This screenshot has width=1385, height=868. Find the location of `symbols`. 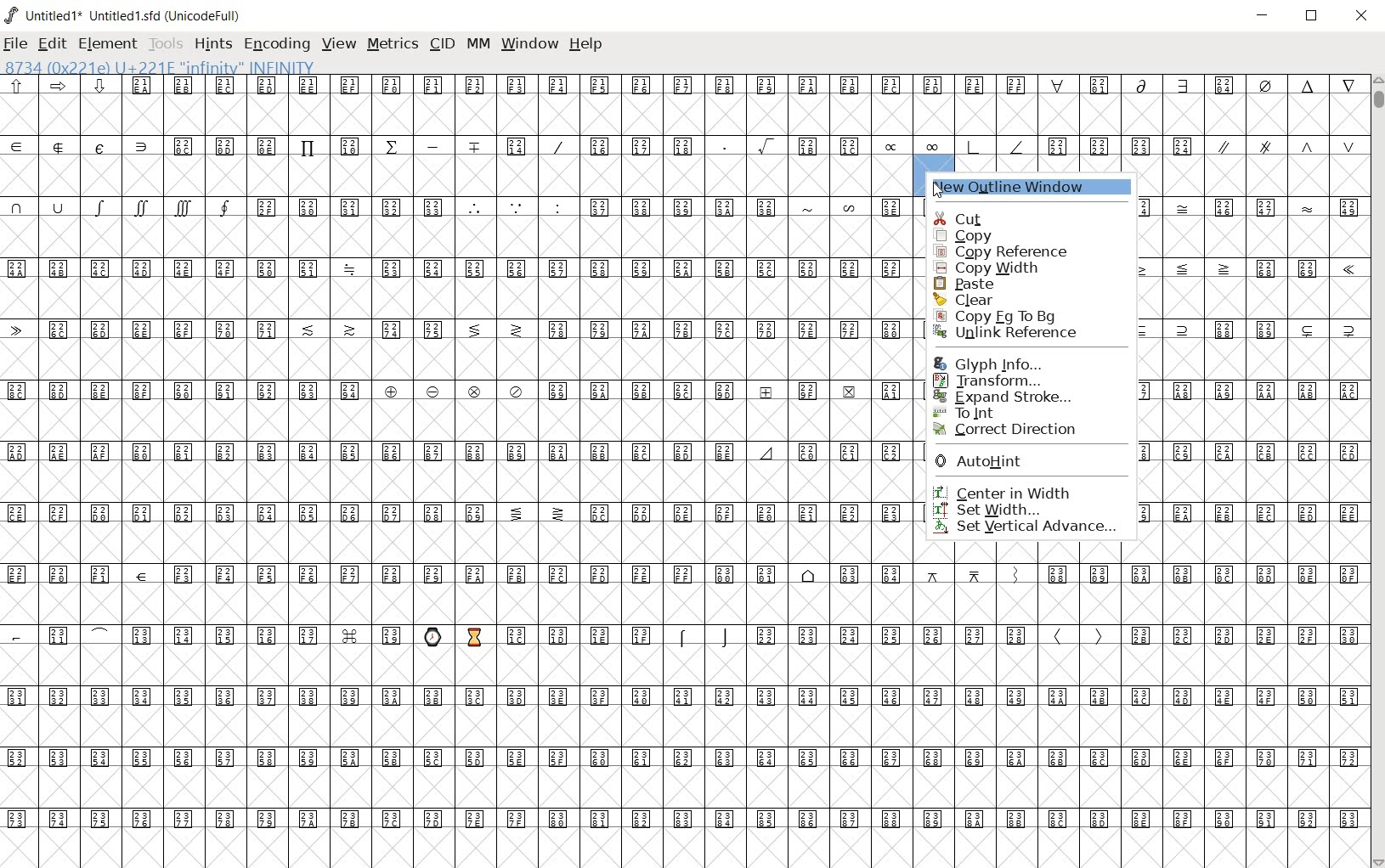

symbols is located at coordinates (1191, 269).